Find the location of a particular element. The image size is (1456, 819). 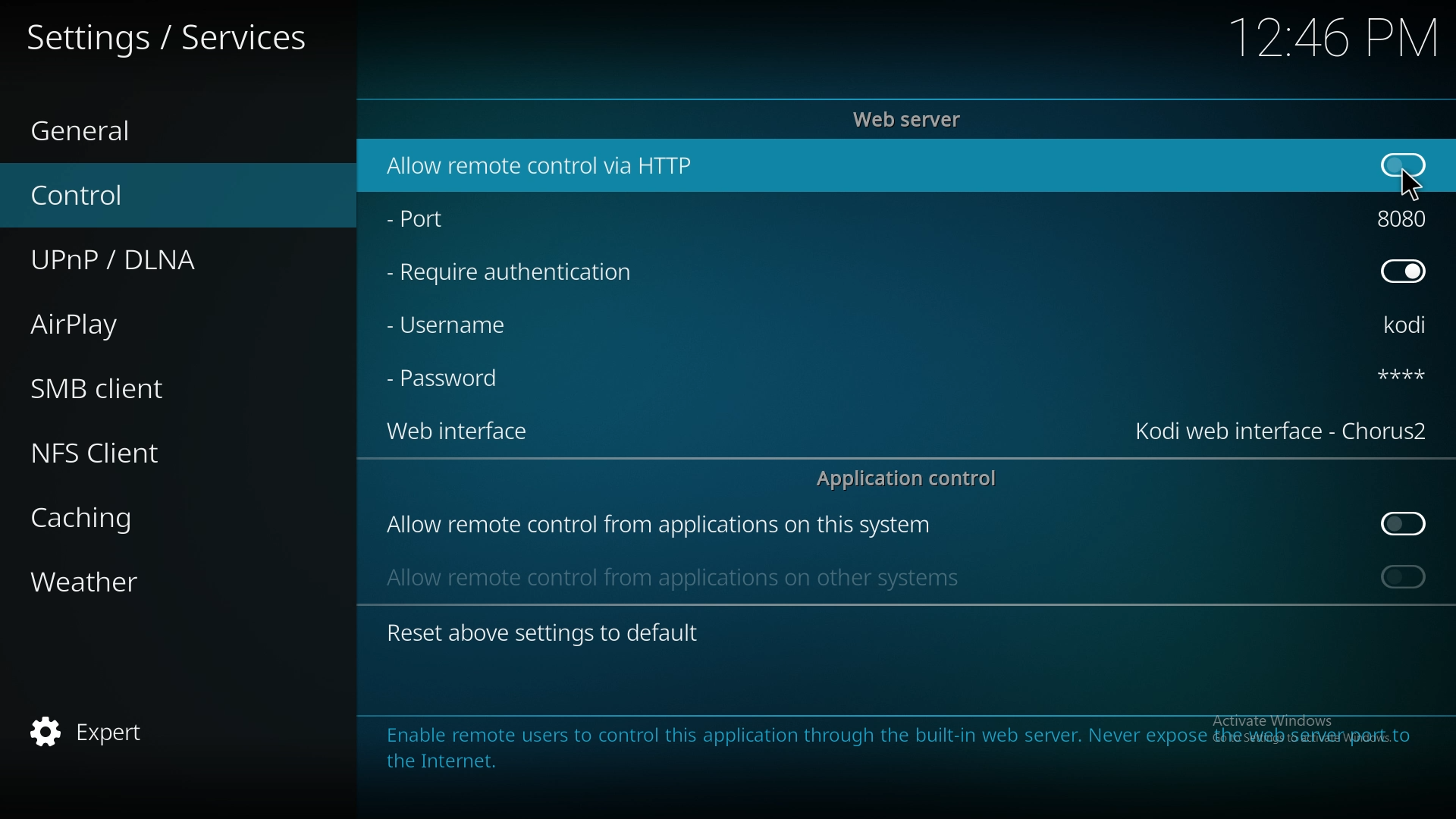

info is located at coordinates (883, 746).